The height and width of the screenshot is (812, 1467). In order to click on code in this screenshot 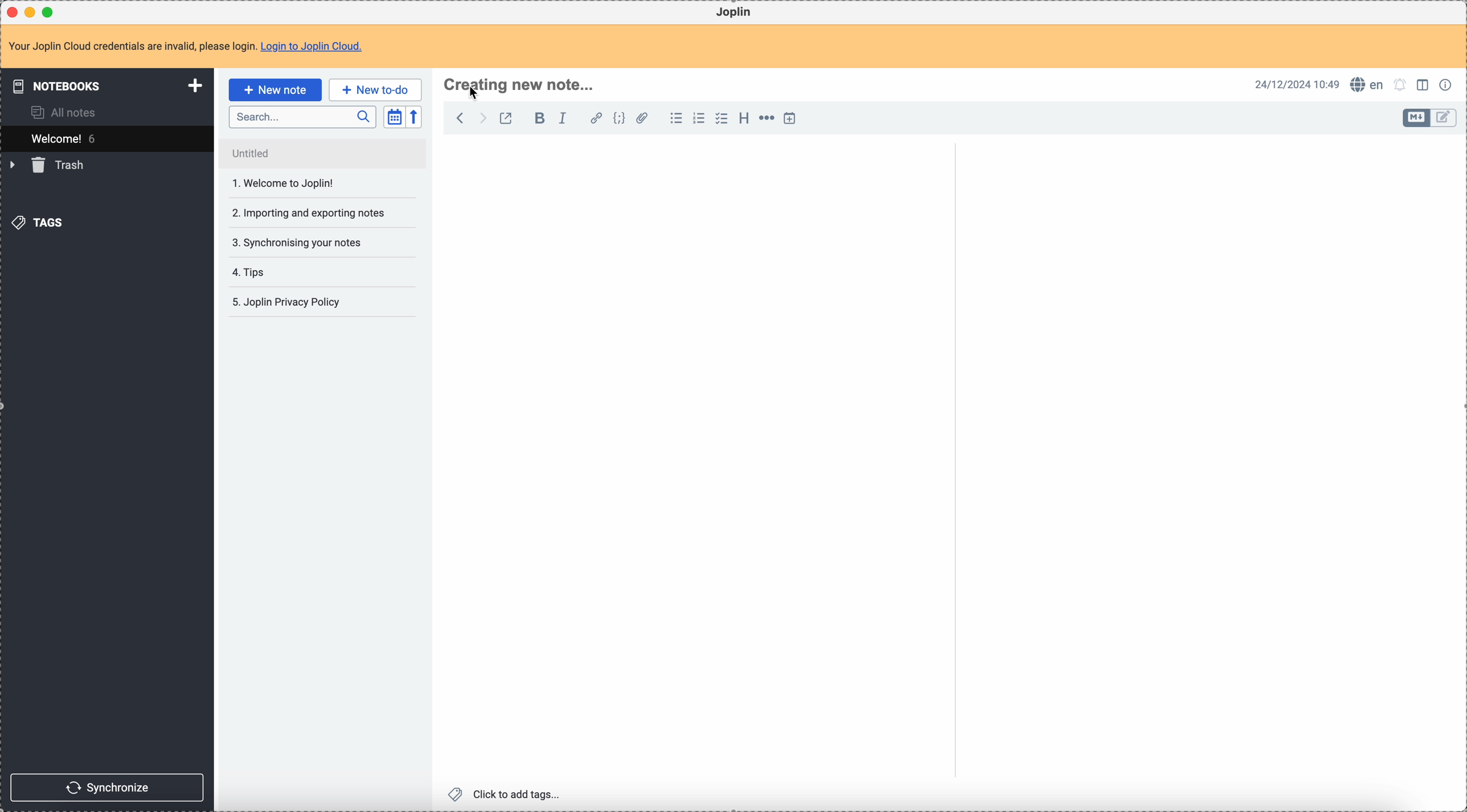, I will do `click(621, 119)`.